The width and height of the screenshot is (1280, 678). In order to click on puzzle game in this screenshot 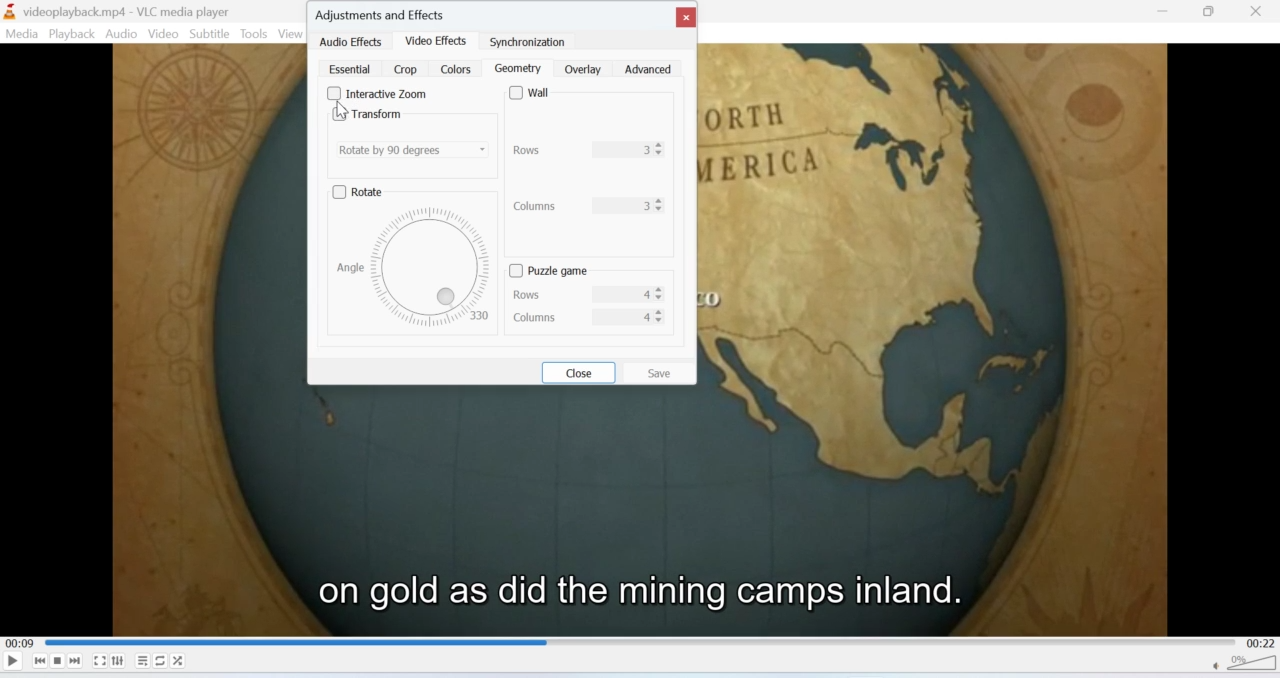, I will do `click(556, 271)`.